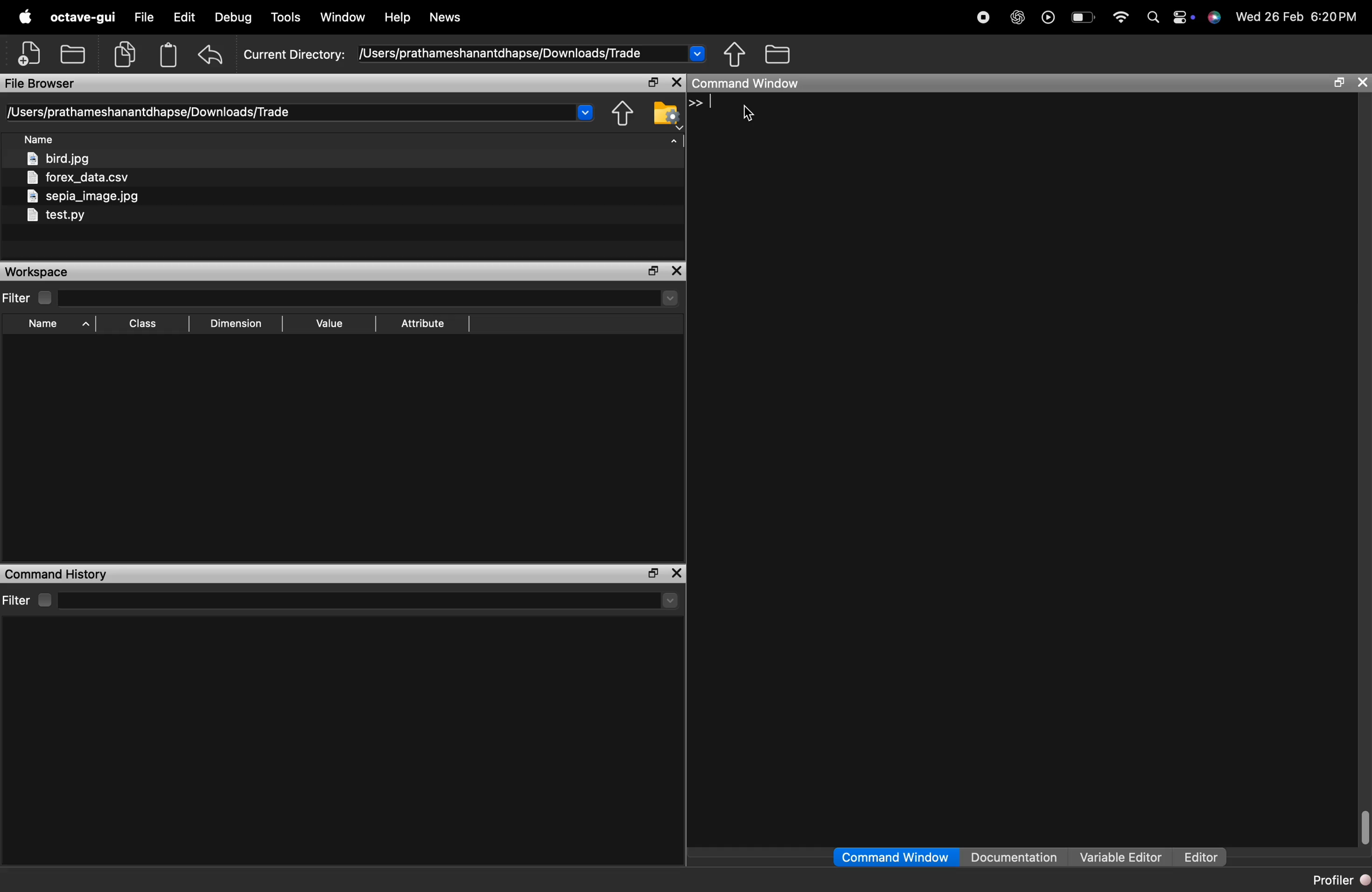 Image resolution: width=1372 pixels, height=892 pixels. I want to click on New folder, so click(72, 53).